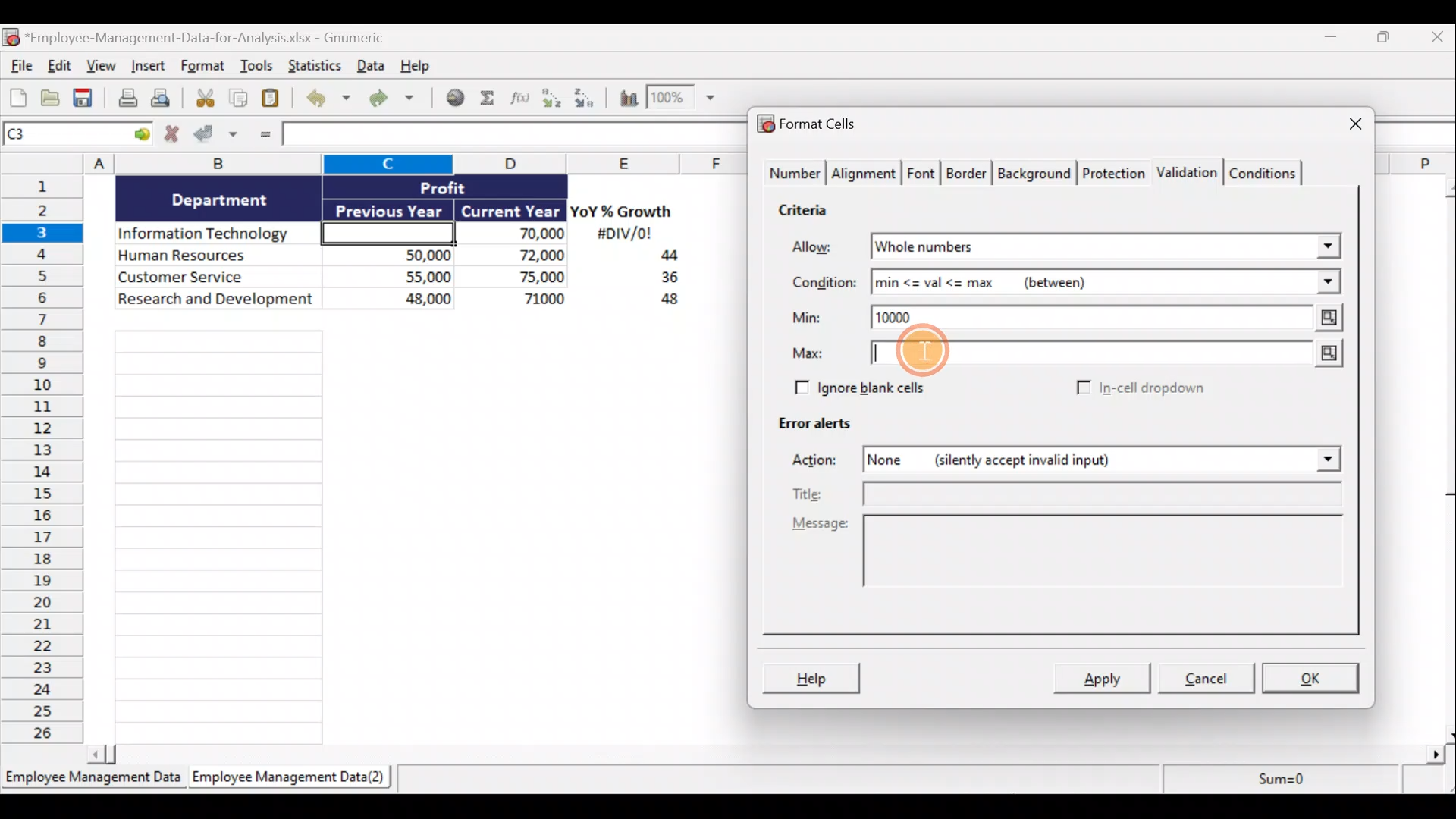 This screenshot has height=819, width=1456. I want to click on Cut selection, so click(204, 99).